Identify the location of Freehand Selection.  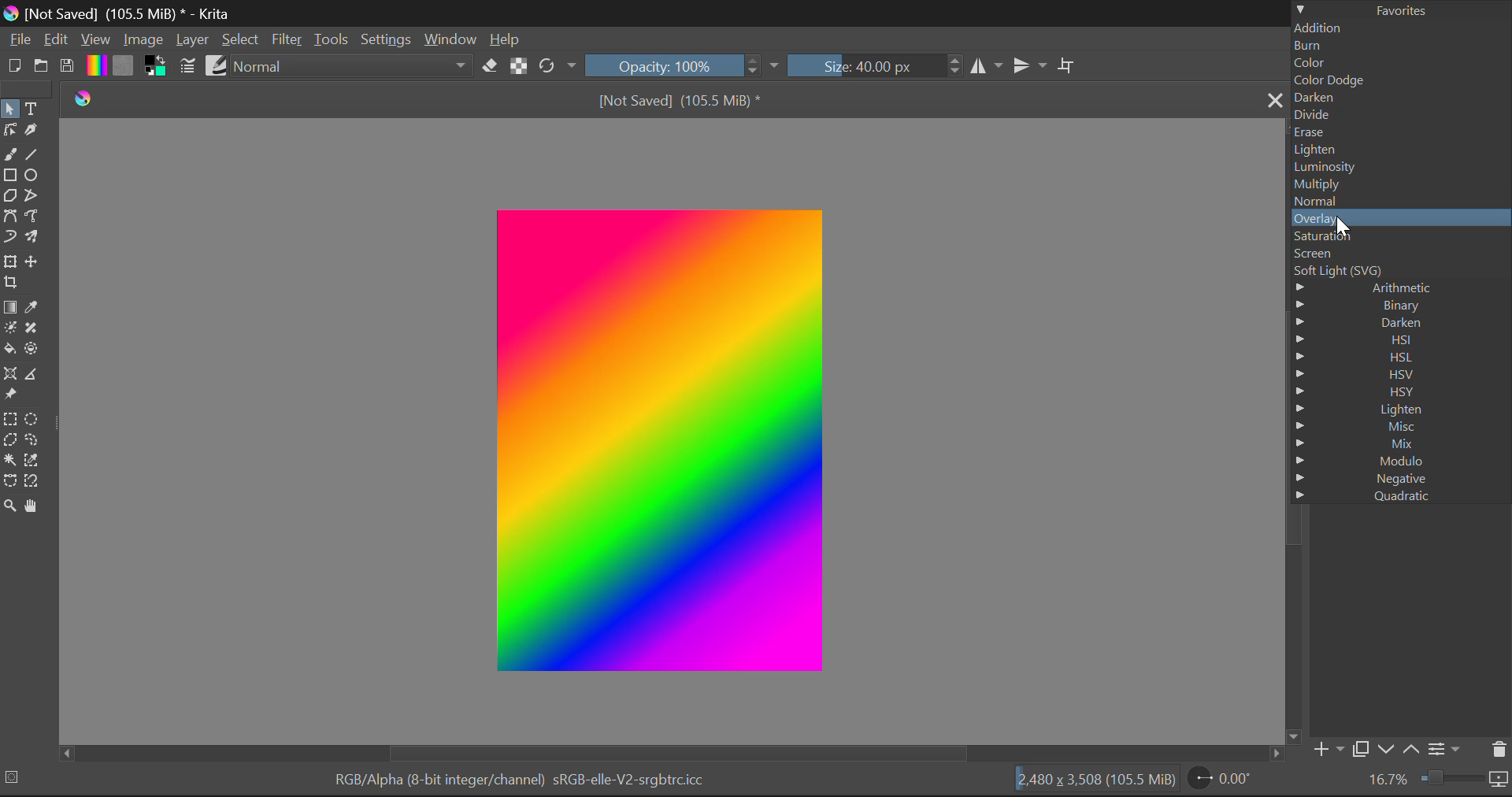
(32, 439).